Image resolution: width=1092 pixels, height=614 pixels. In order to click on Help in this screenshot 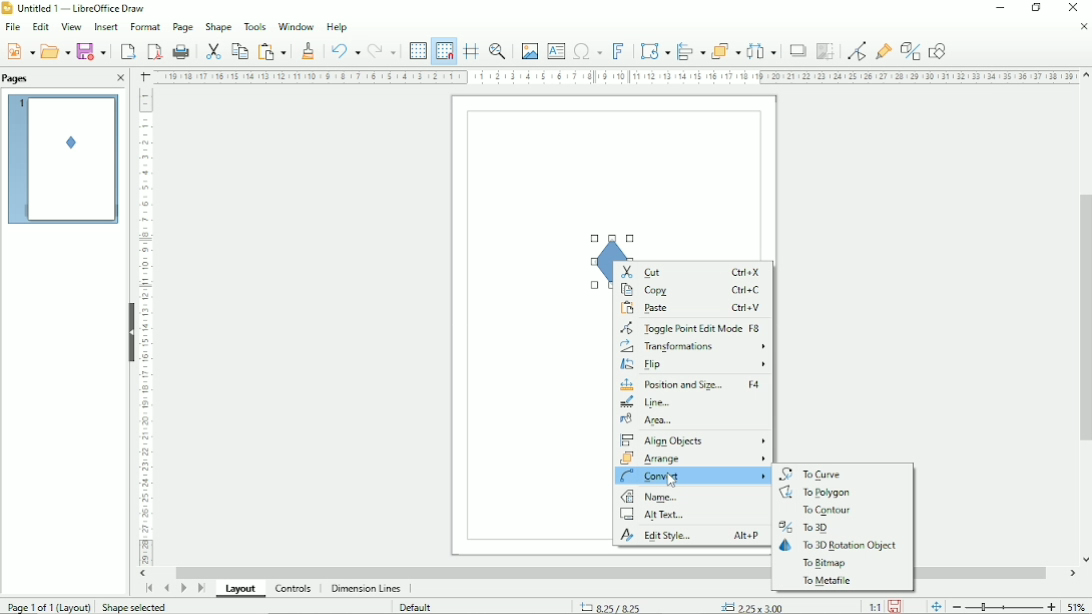, I will do `click(338, 26)`.